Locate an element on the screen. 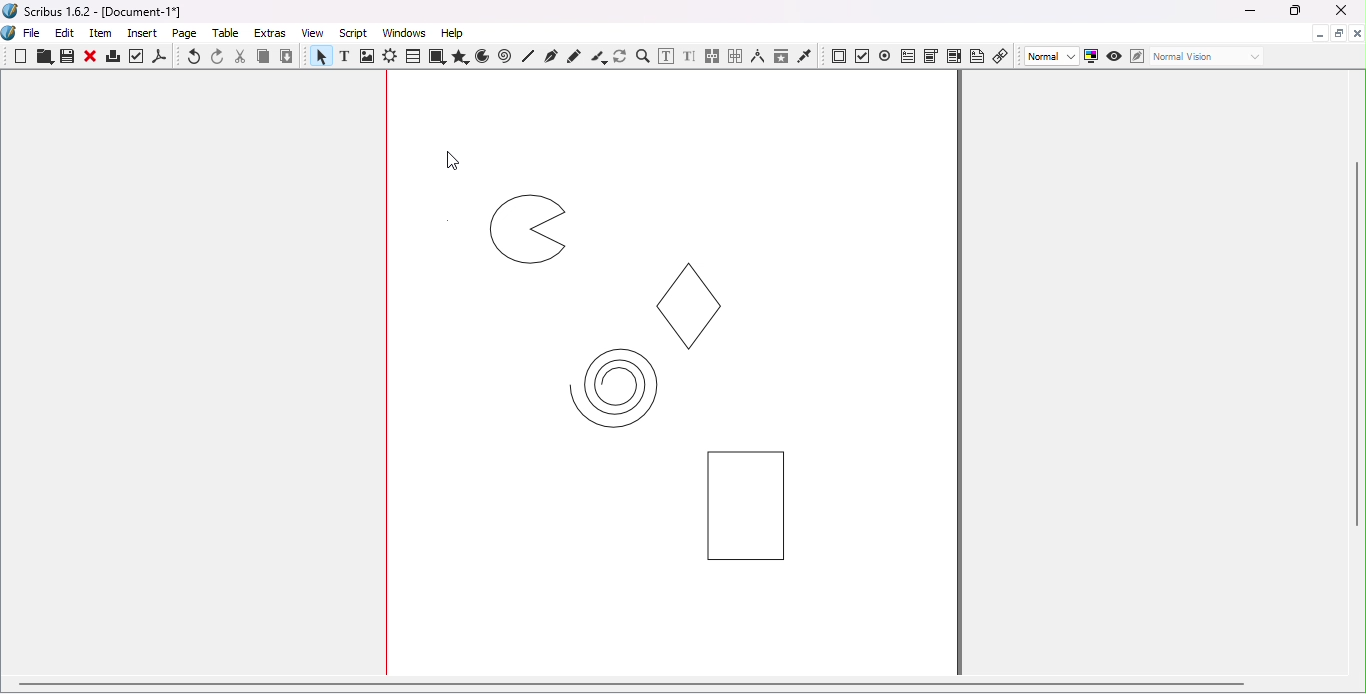 This screenshot has width=1366, height=694. Eye dropper is located at coordinates (805, 55).